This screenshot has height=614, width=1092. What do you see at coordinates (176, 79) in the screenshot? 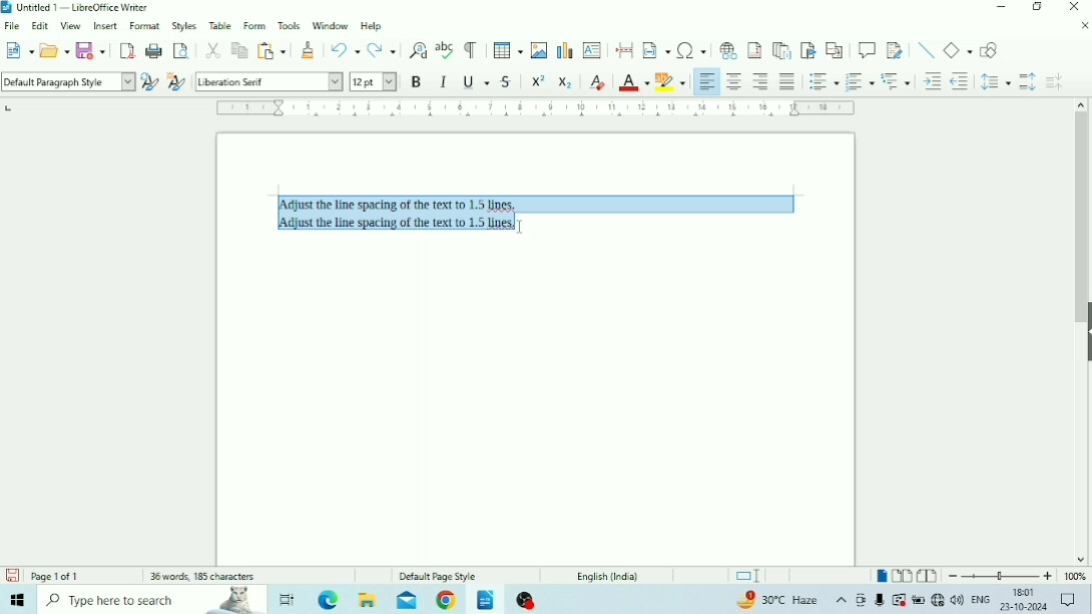
I see `New Style for Selection` at bounding box center [176, 79].